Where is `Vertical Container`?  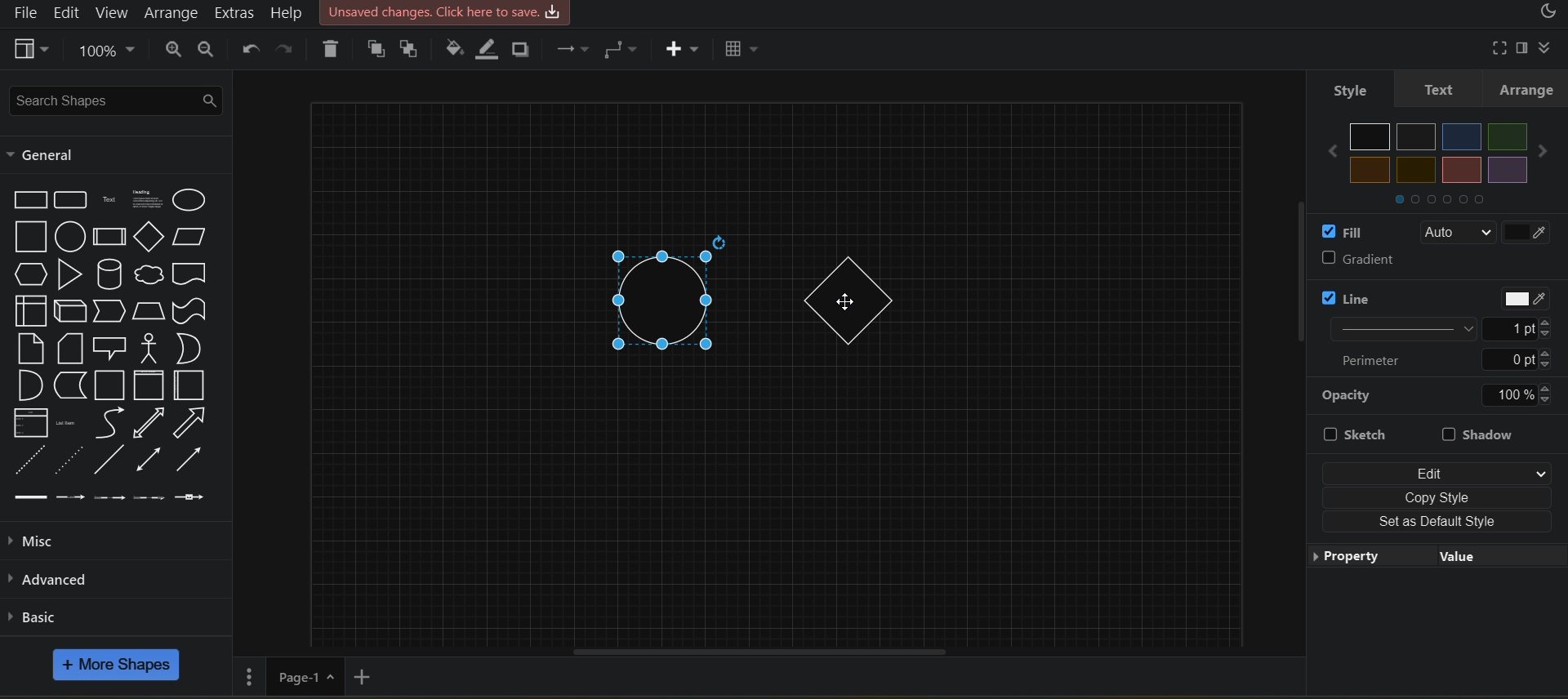 Vertical Container is located at coordinates (149, 384).